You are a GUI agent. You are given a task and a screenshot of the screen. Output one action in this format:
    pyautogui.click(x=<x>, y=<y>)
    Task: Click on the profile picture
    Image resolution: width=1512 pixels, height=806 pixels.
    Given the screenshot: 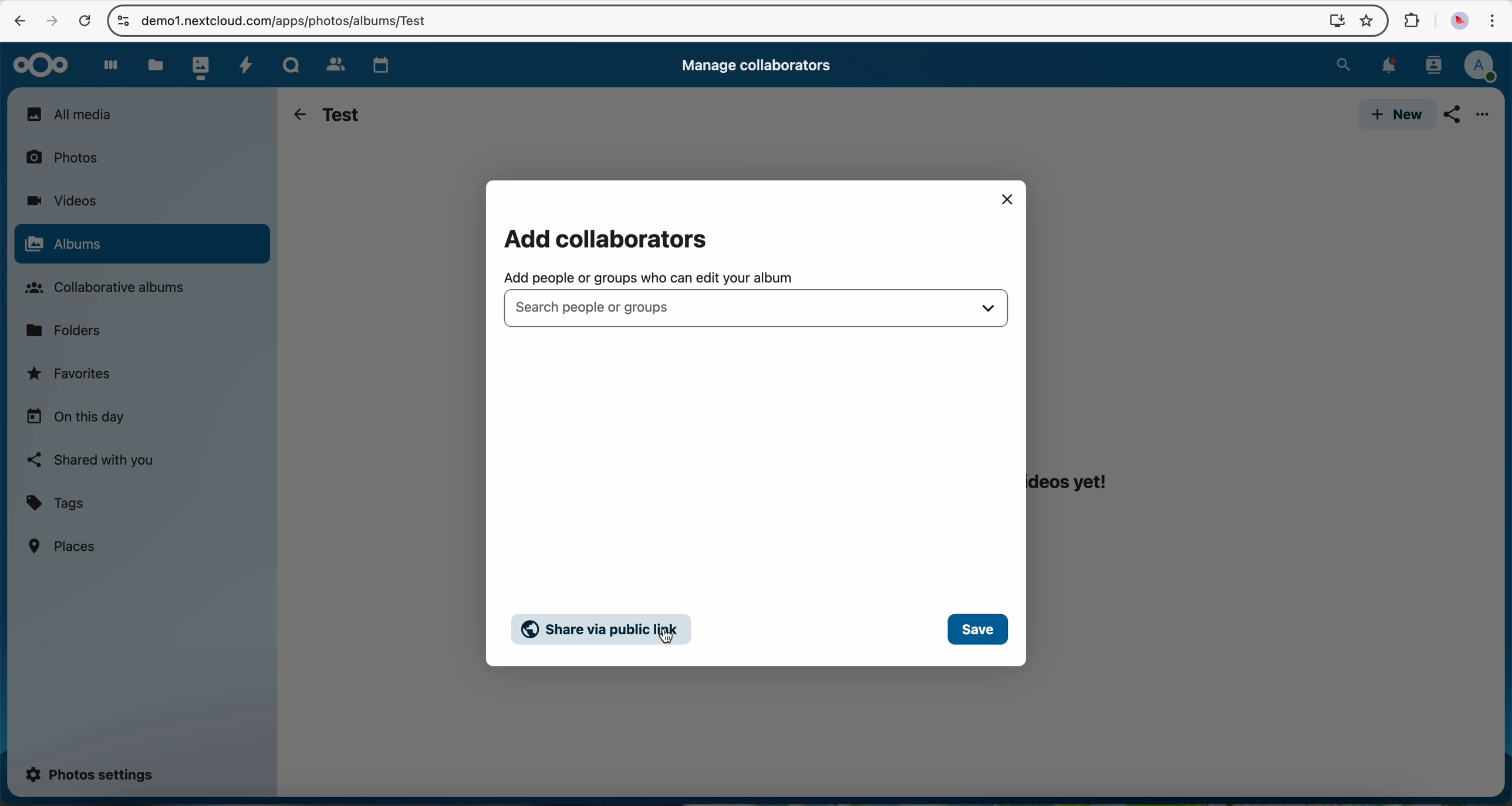 What is the action you would take?
    pyautogui.click(x=1457, y=22)
    